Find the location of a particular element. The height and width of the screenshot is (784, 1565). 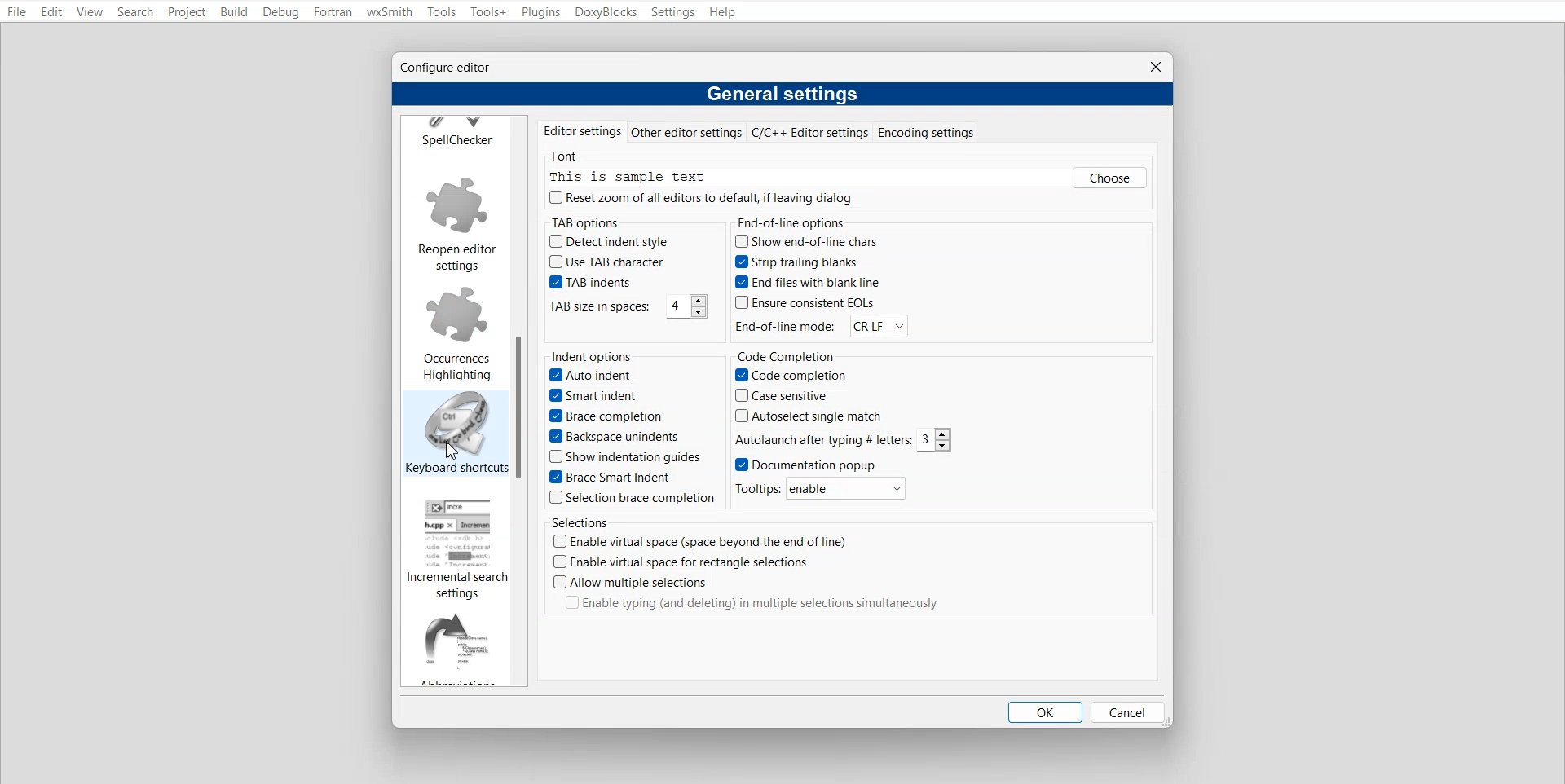

Build is located at coordinates (232, 12).